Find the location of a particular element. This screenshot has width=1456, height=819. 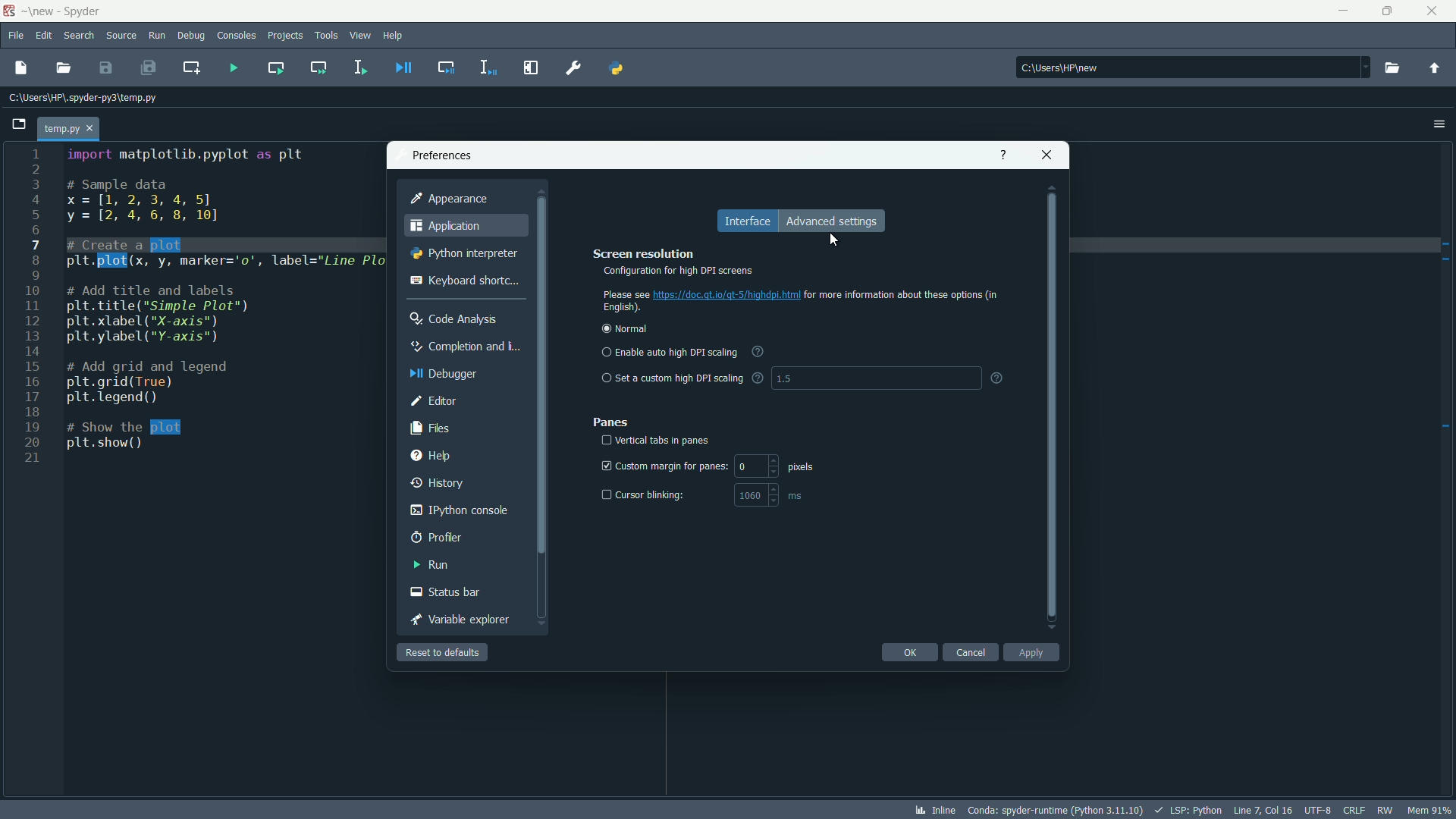

browse tabs is located at coordinates (15, 124).